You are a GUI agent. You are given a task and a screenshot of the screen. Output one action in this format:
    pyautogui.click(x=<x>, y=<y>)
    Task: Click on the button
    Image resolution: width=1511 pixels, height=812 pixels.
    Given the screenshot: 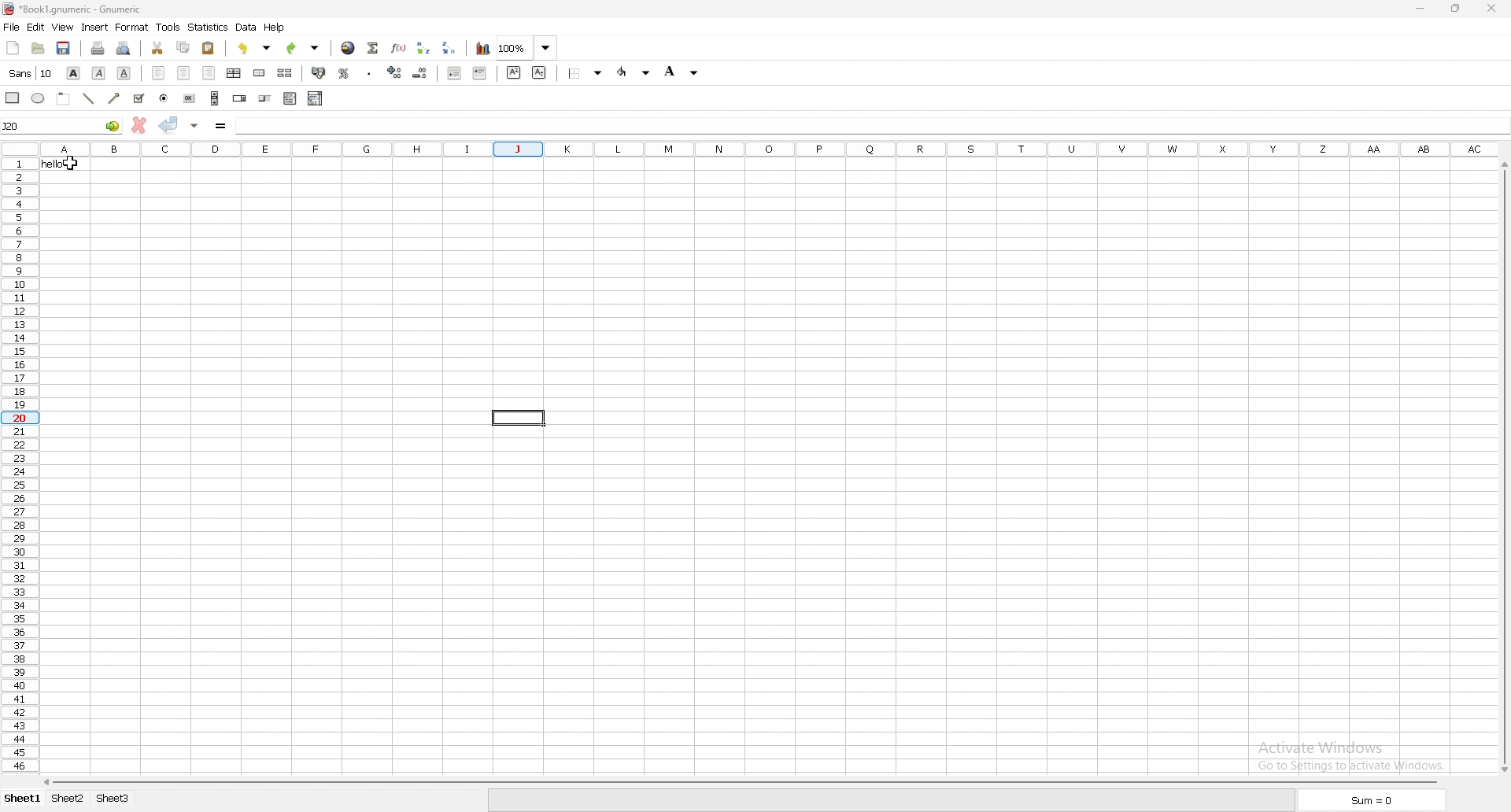 What is the action you would take?
    pyautogui.click(x=187, y=98)
    